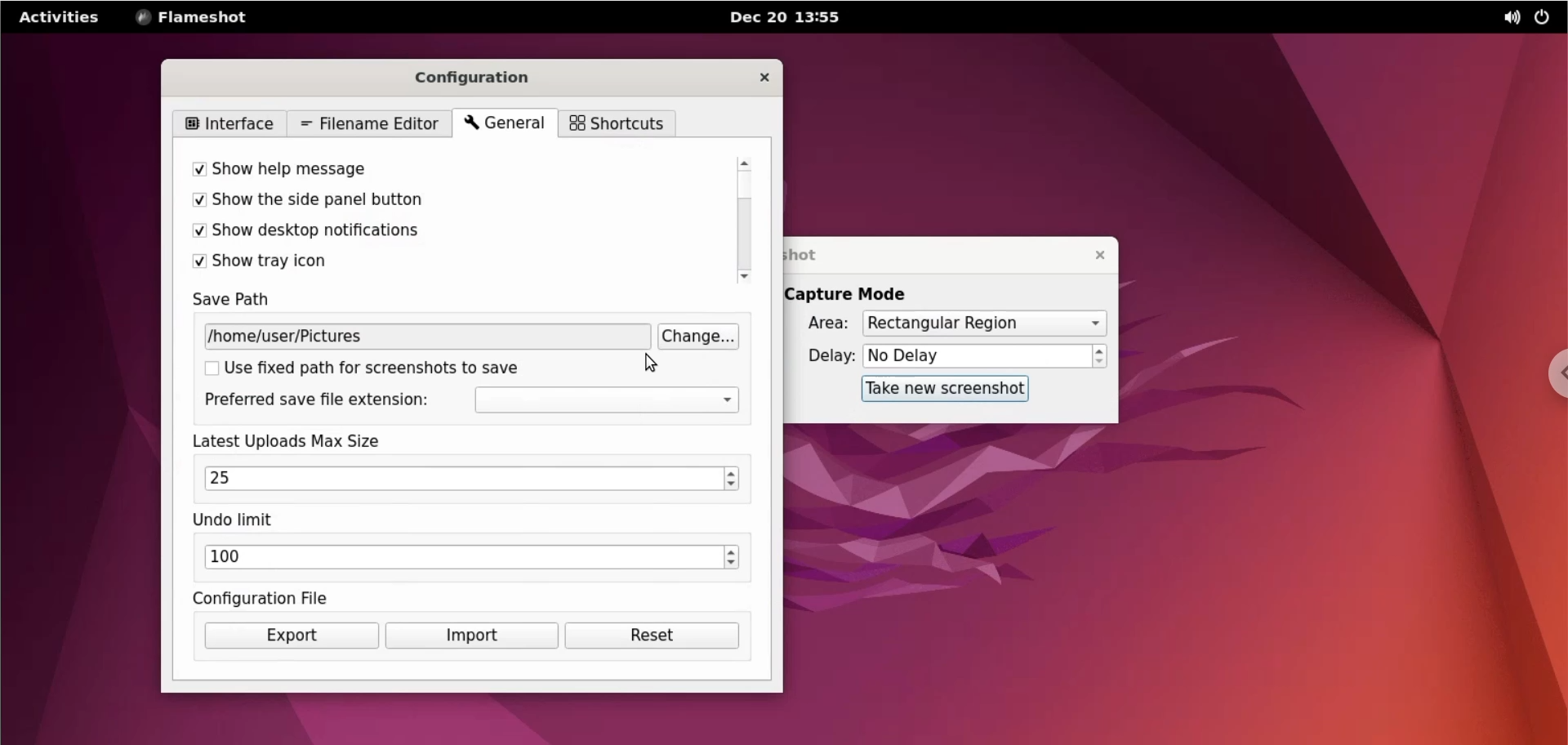 This screenshot has width=1568, height=745. What do you see at coordinates (1542, 18) in the screenshot?
I see `power options` at bounding box center [1542, 18].